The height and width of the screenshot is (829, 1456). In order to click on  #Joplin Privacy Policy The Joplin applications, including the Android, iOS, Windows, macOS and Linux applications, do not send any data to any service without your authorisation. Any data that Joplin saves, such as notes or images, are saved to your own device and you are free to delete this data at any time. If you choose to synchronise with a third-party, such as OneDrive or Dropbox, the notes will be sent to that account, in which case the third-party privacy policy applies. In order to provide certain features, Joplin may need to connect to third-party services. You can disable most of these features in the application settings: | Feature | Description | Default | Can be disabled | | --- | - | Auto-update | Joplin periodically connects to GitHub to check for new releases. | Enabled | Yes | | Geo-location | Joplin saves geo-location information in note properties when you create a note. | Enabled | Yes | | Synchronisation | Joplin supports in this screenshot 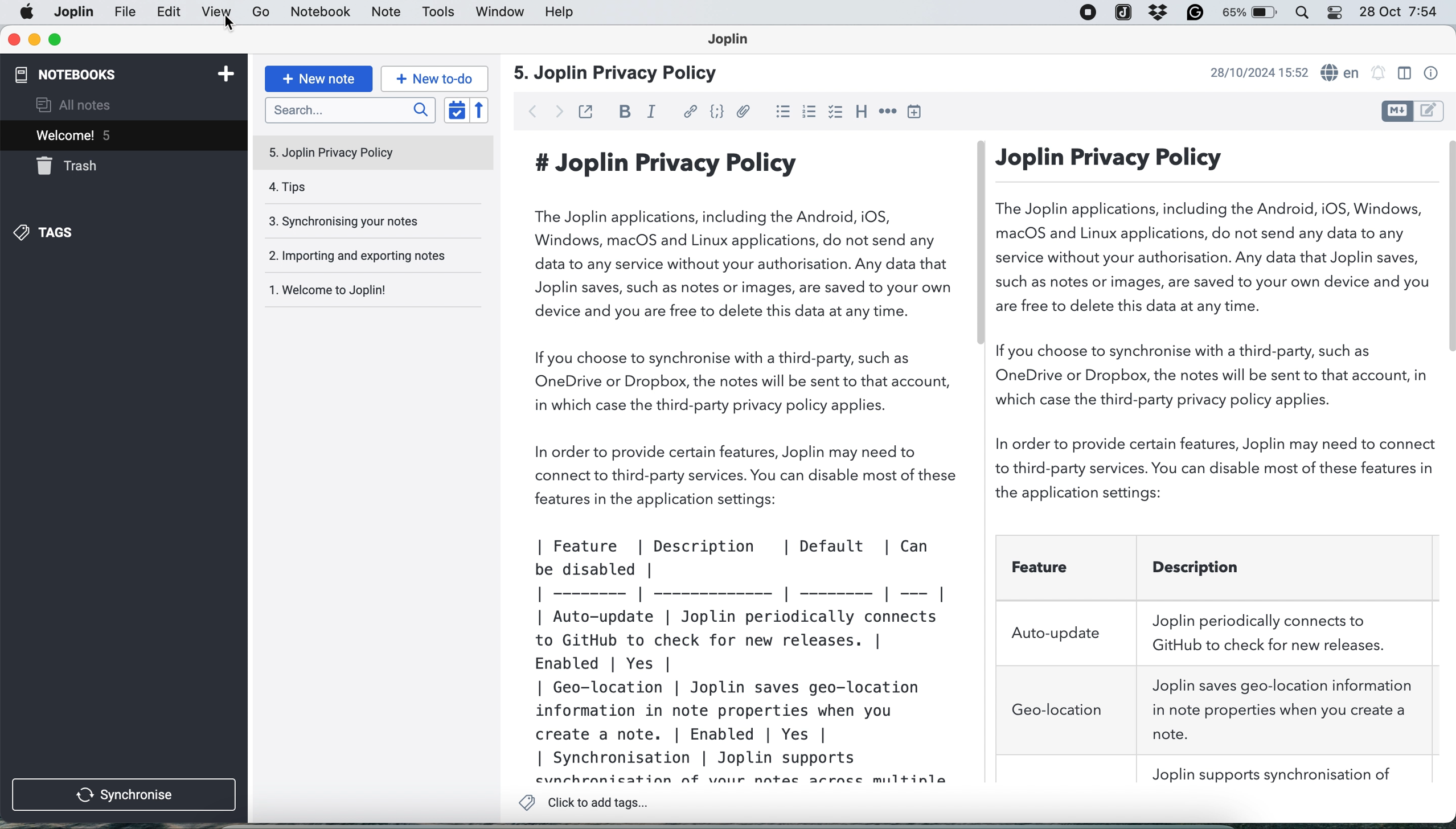, I will do `click(748, 463)`.